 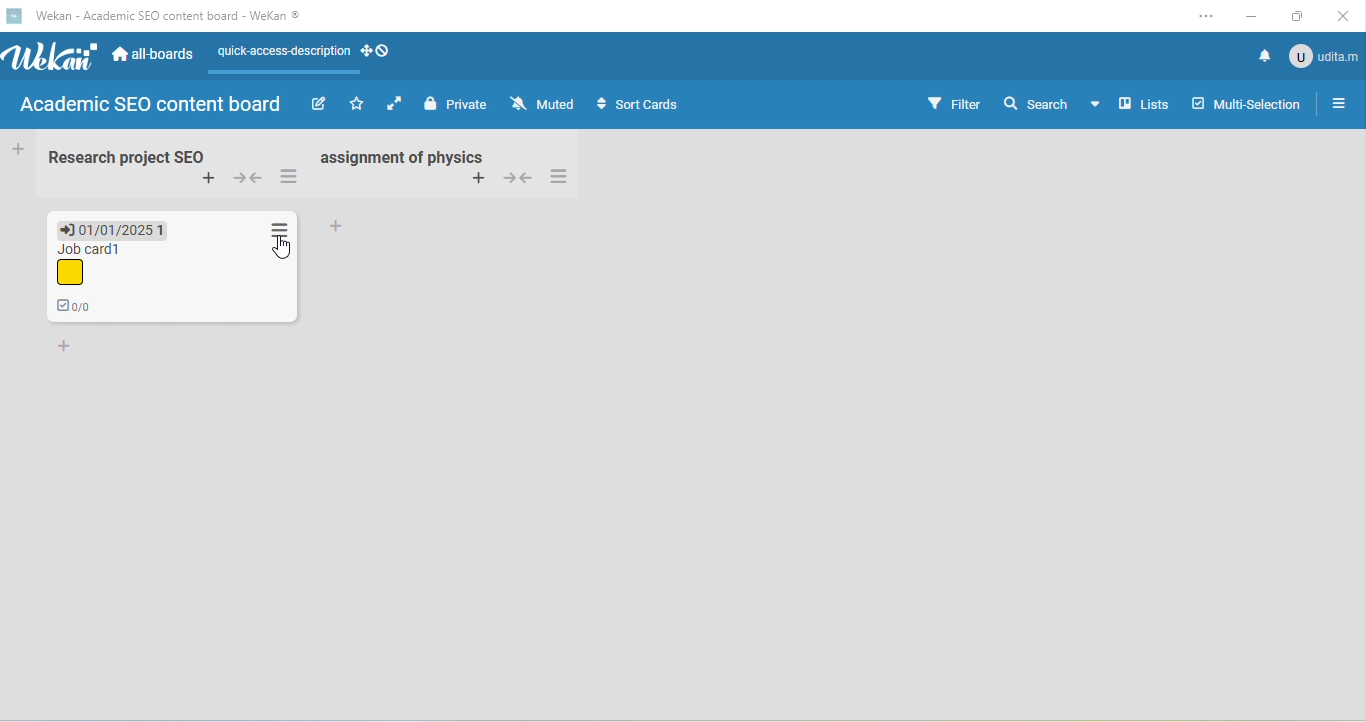 I want to click on due date, so click(x=114, y=228).